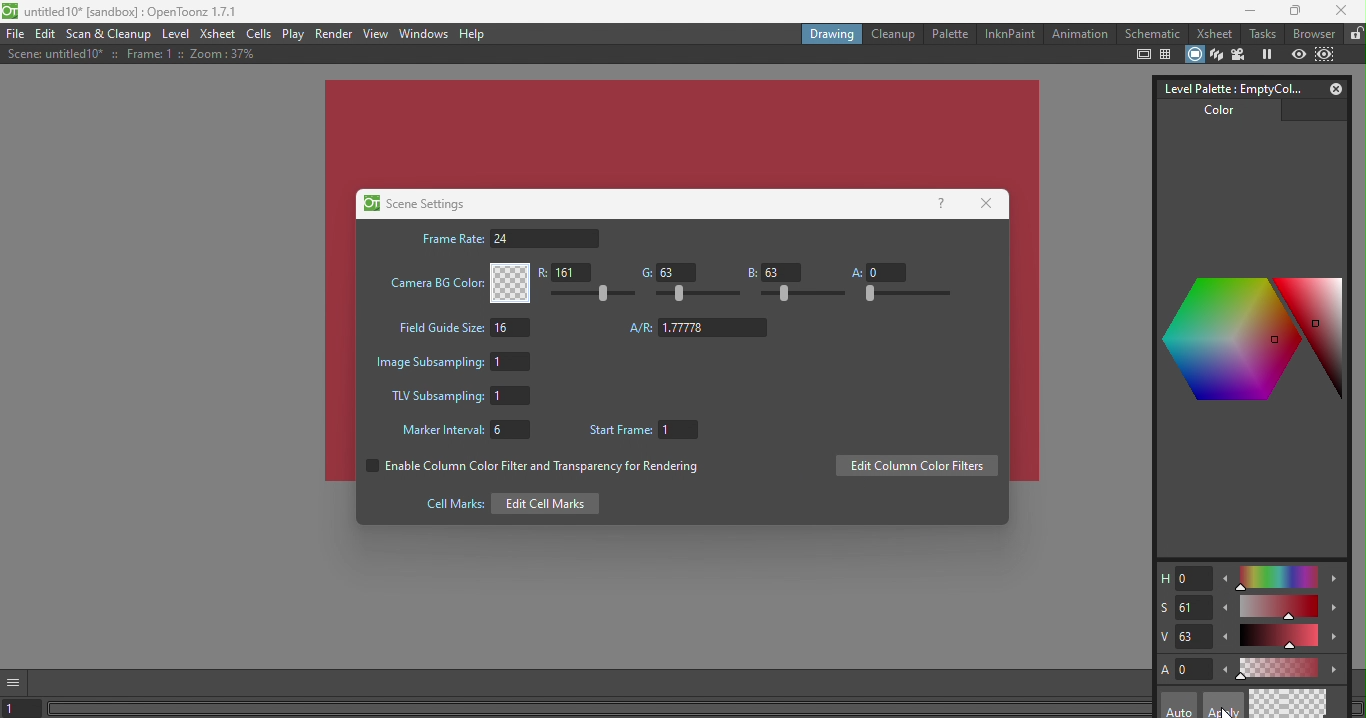 Image resolution: width=1366 pixels, height=718 pixels. I want to click on Increase, so click(1337, 670).